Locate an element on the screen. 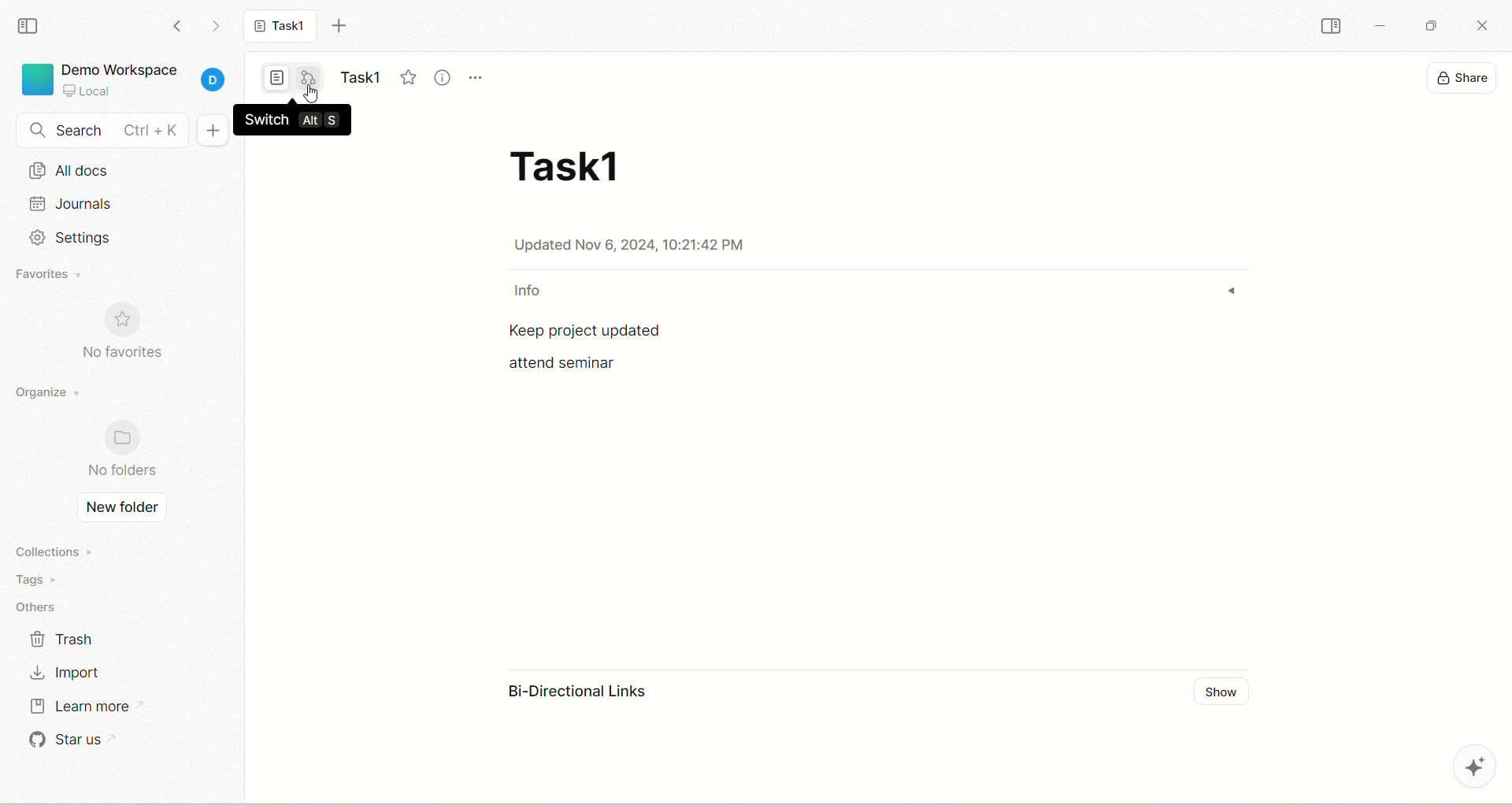 The image size is (1512, 805). organize is located at coordinates (54, 391).